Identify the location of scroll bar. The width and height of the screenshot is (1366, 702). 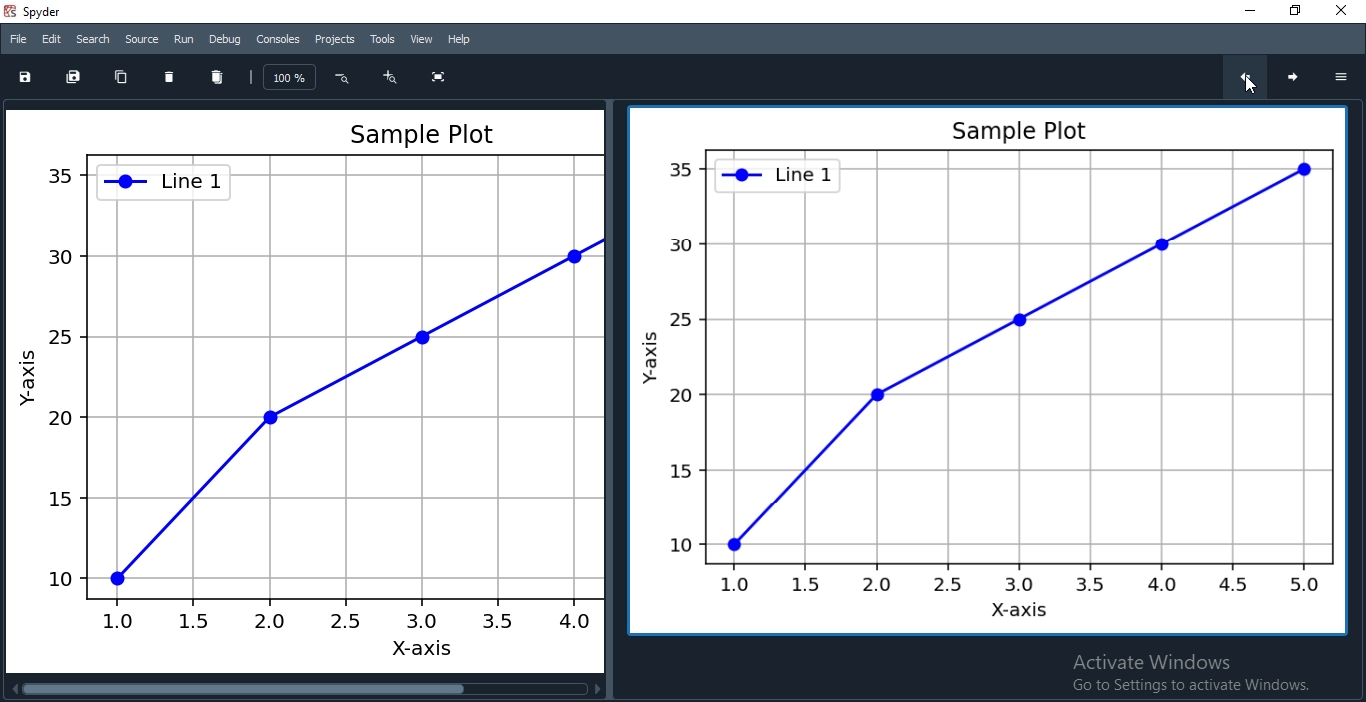
(305, 690).